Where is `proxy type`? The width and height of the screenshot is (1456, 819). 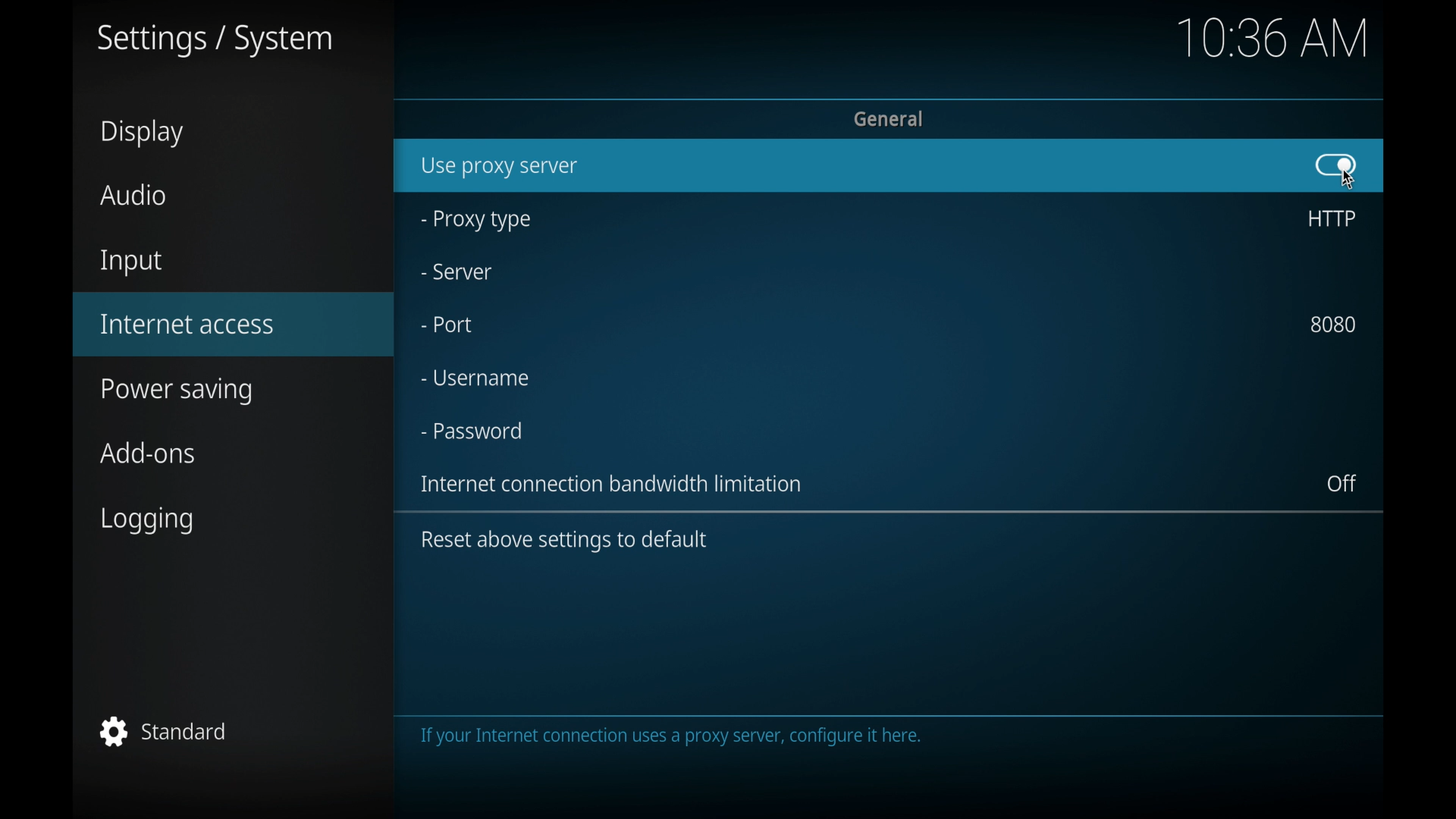 proxy type is located at coordinates (474, 221).